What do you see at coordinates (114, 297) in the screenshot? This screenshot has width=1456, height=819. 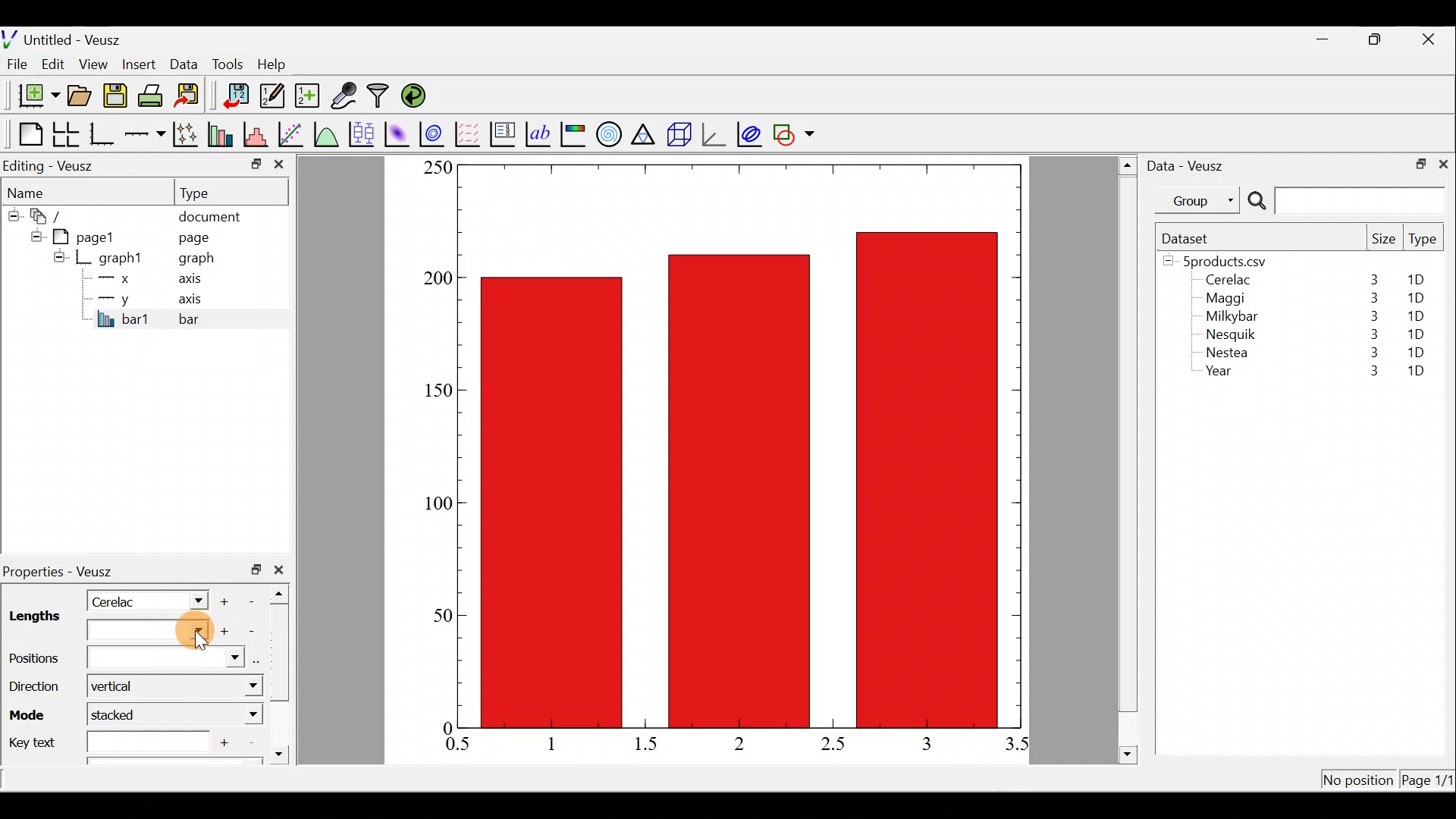 I see `y` at bounding box center [114, 297].